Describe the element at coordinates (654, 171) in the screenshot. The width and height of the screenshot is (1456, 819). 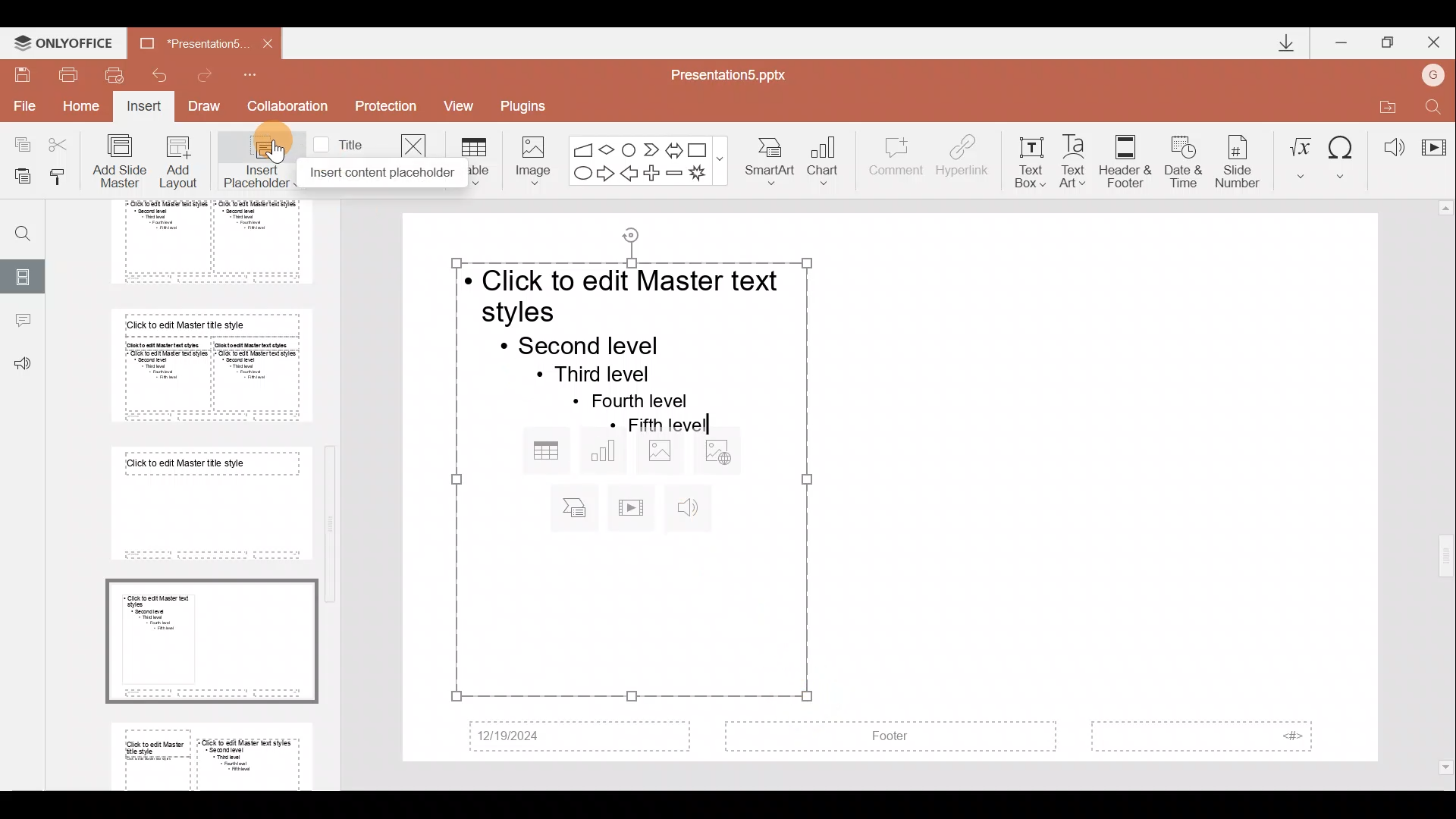
I see `Plus` at that location.